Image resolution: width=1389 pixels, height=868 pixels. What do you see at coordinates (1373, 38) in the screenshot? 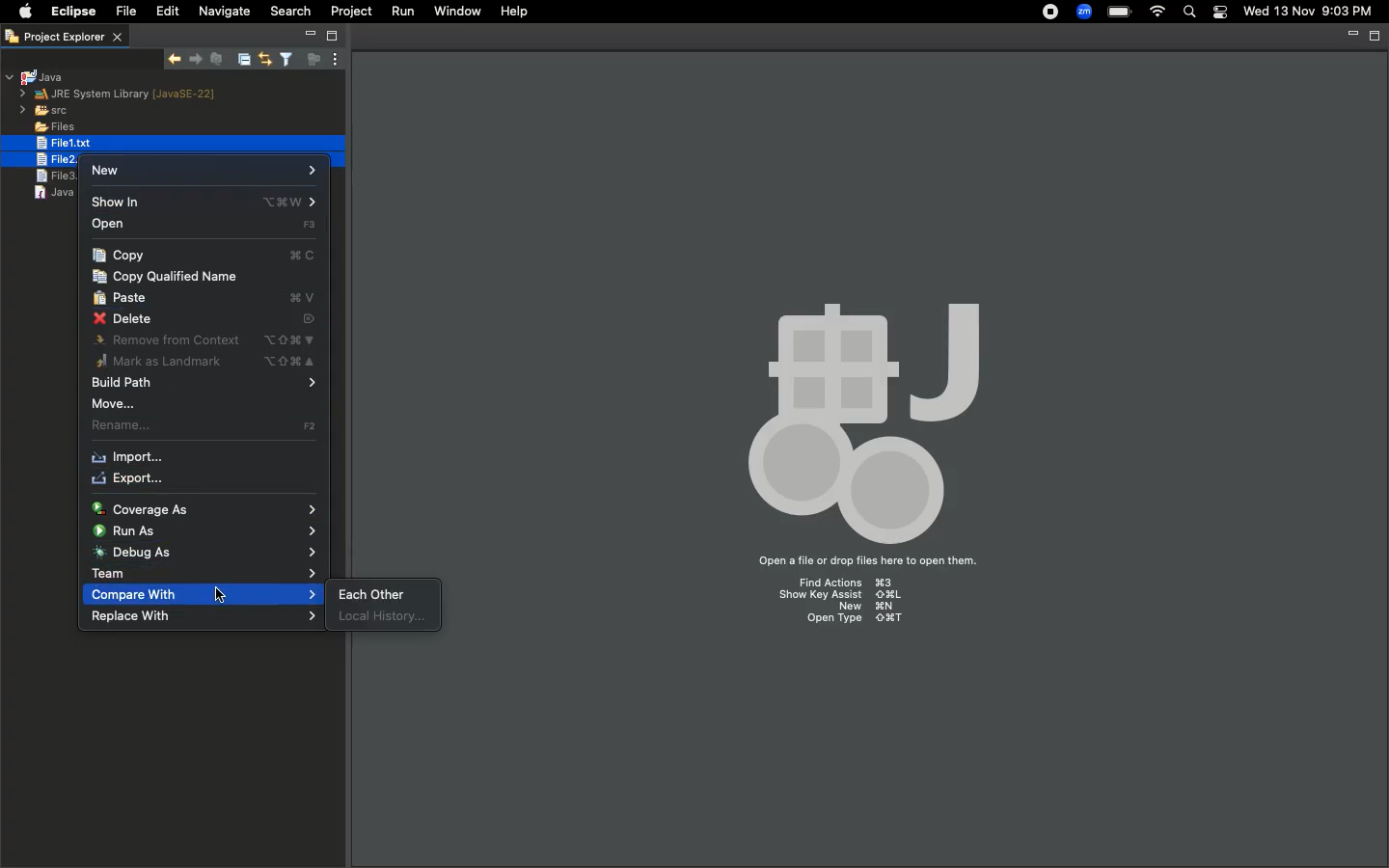
I see `Maximize` at bounding box center [1373, 38].